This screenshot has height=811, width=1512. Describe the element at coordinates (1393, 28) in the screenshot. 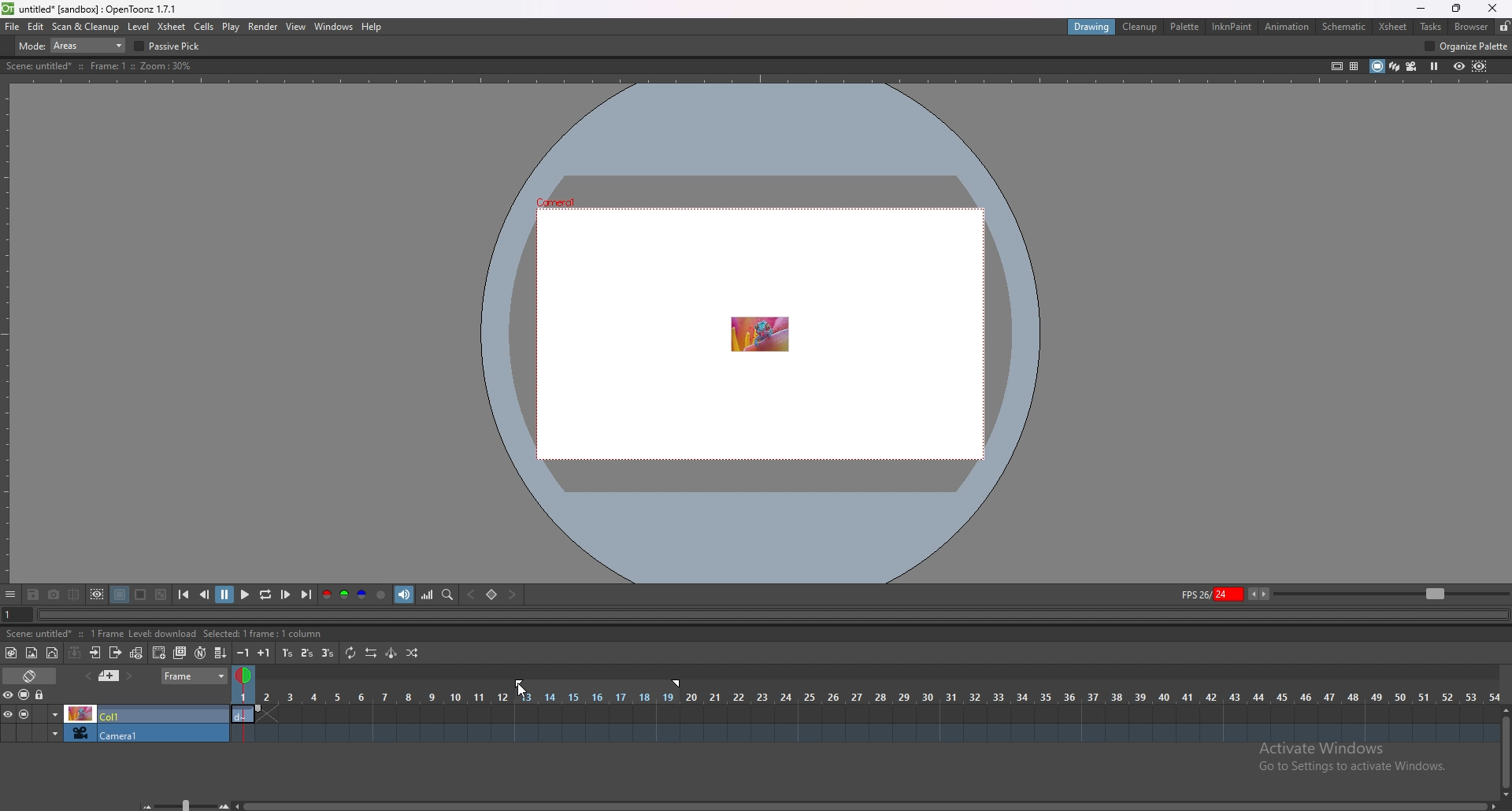

I see `xsheet` at that location.